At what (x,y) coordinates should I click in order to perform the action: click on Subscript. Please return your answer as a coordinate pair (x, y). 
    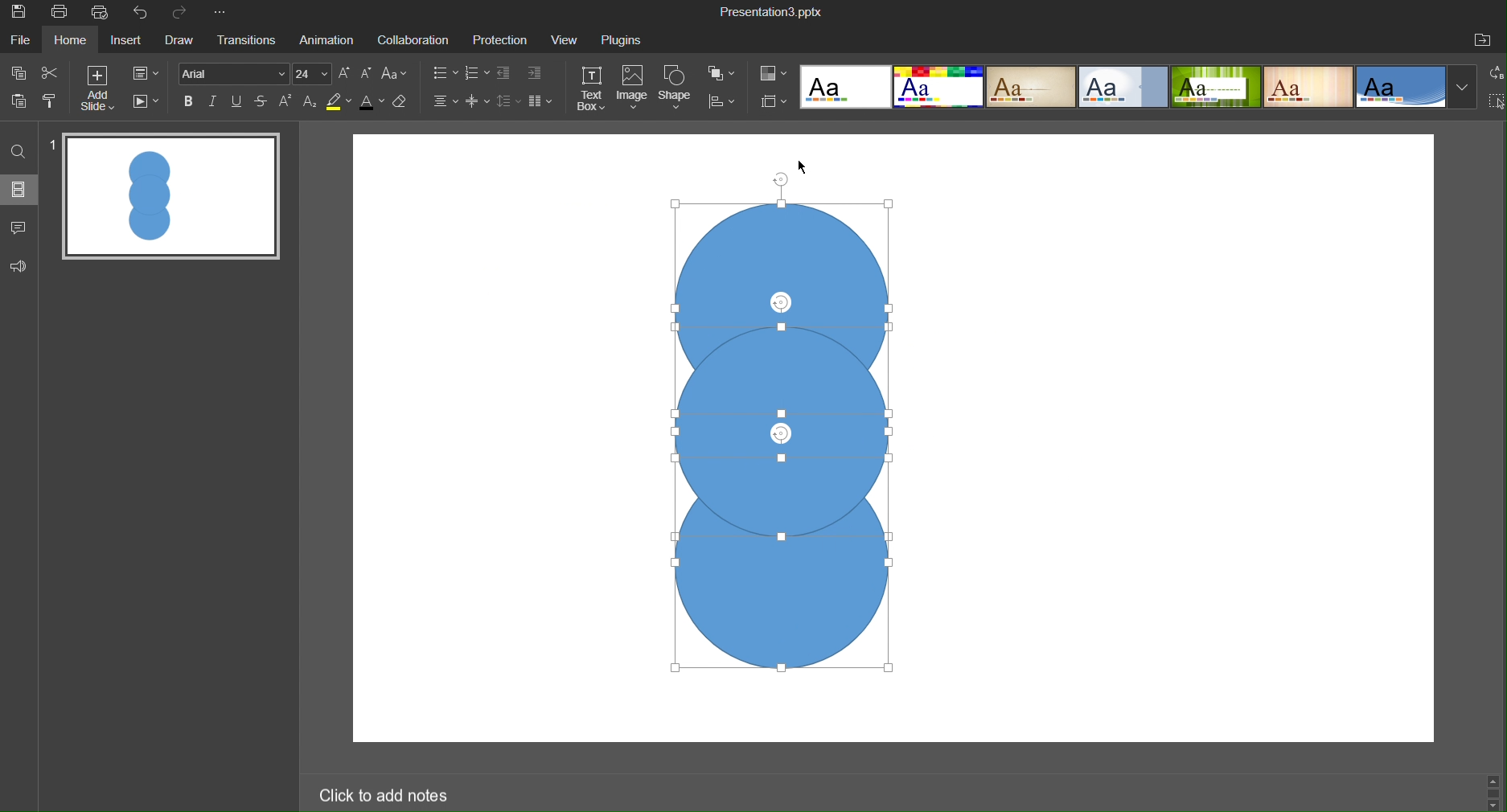
    Looking at the image, I should click on (309, 103).